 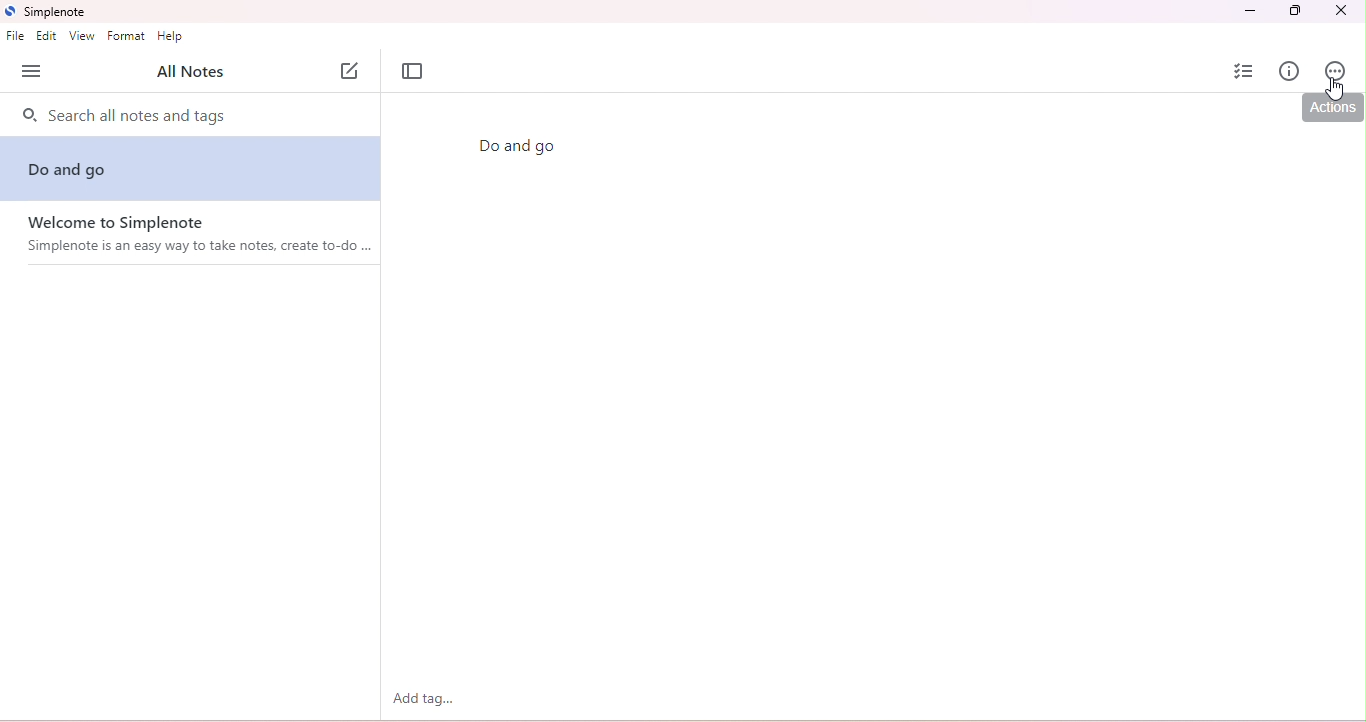 I want to click on insert checklist, so click(x=1245, y=71).